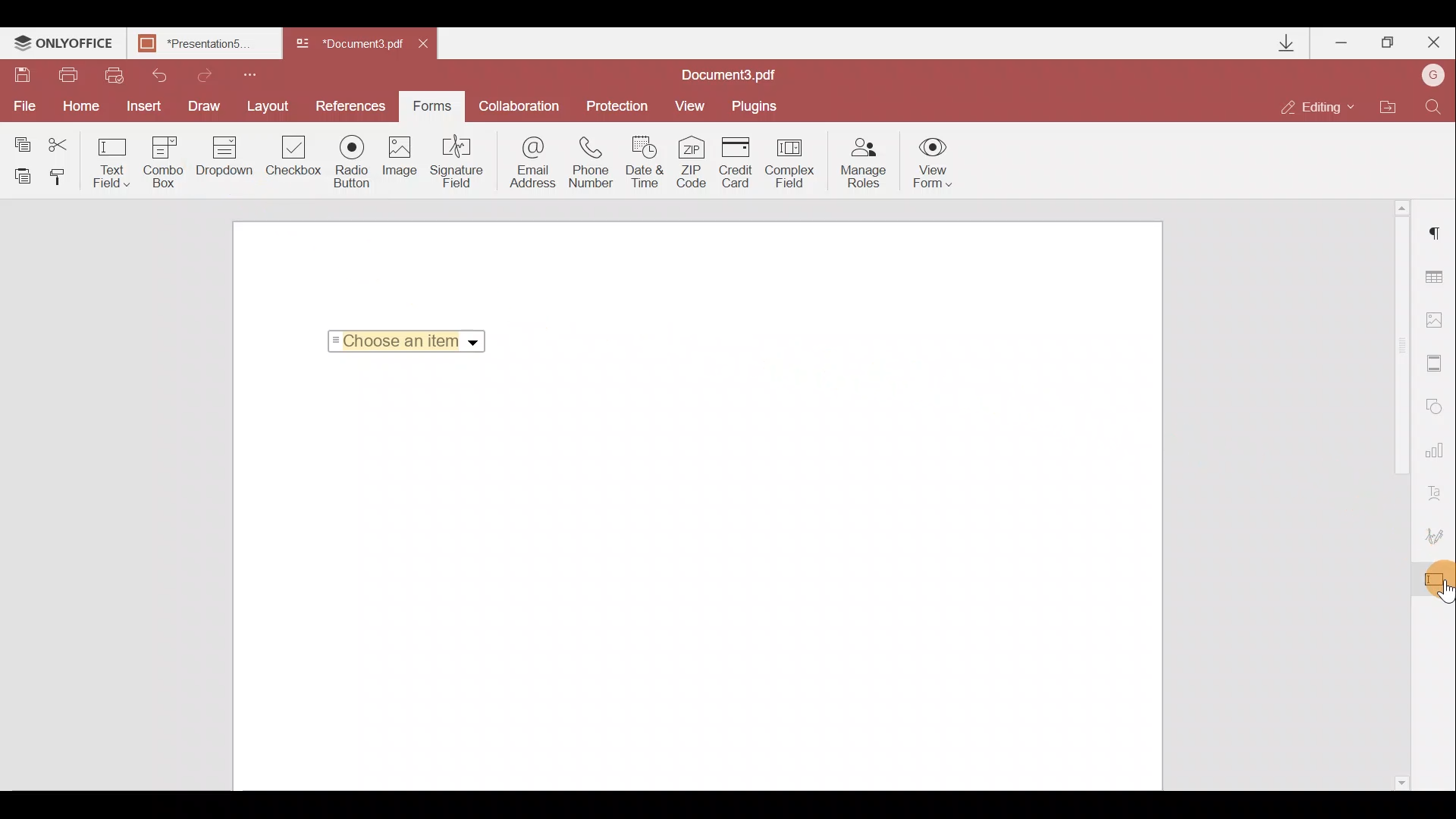 Image resolution: width=1456 pixels, height=819 pixels. I want to click on Maximize, so click(1387, 45).